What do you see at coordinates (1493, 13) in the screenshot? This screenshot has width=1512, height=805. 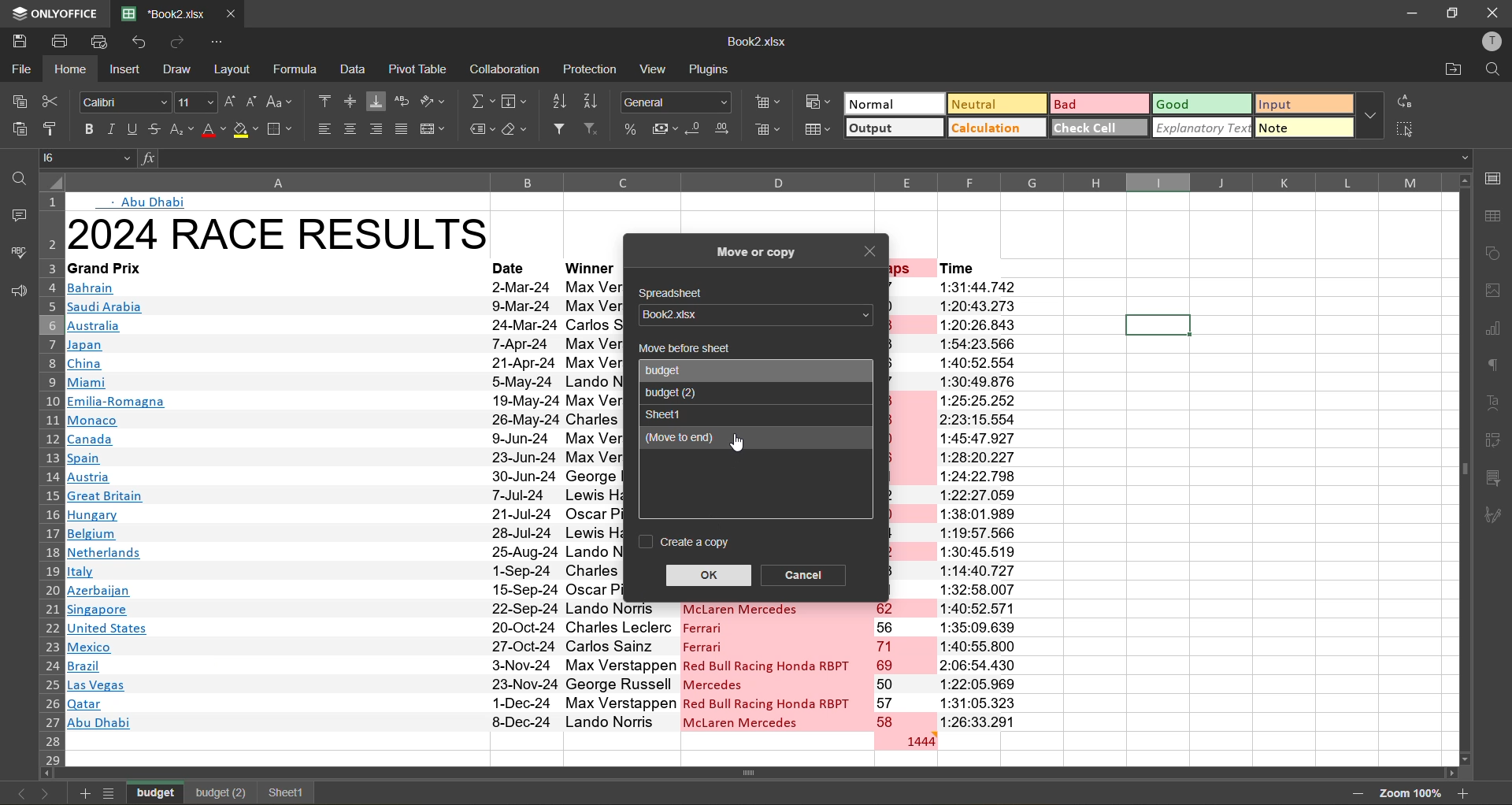 I see `close` at bounding box center [1493, 13].